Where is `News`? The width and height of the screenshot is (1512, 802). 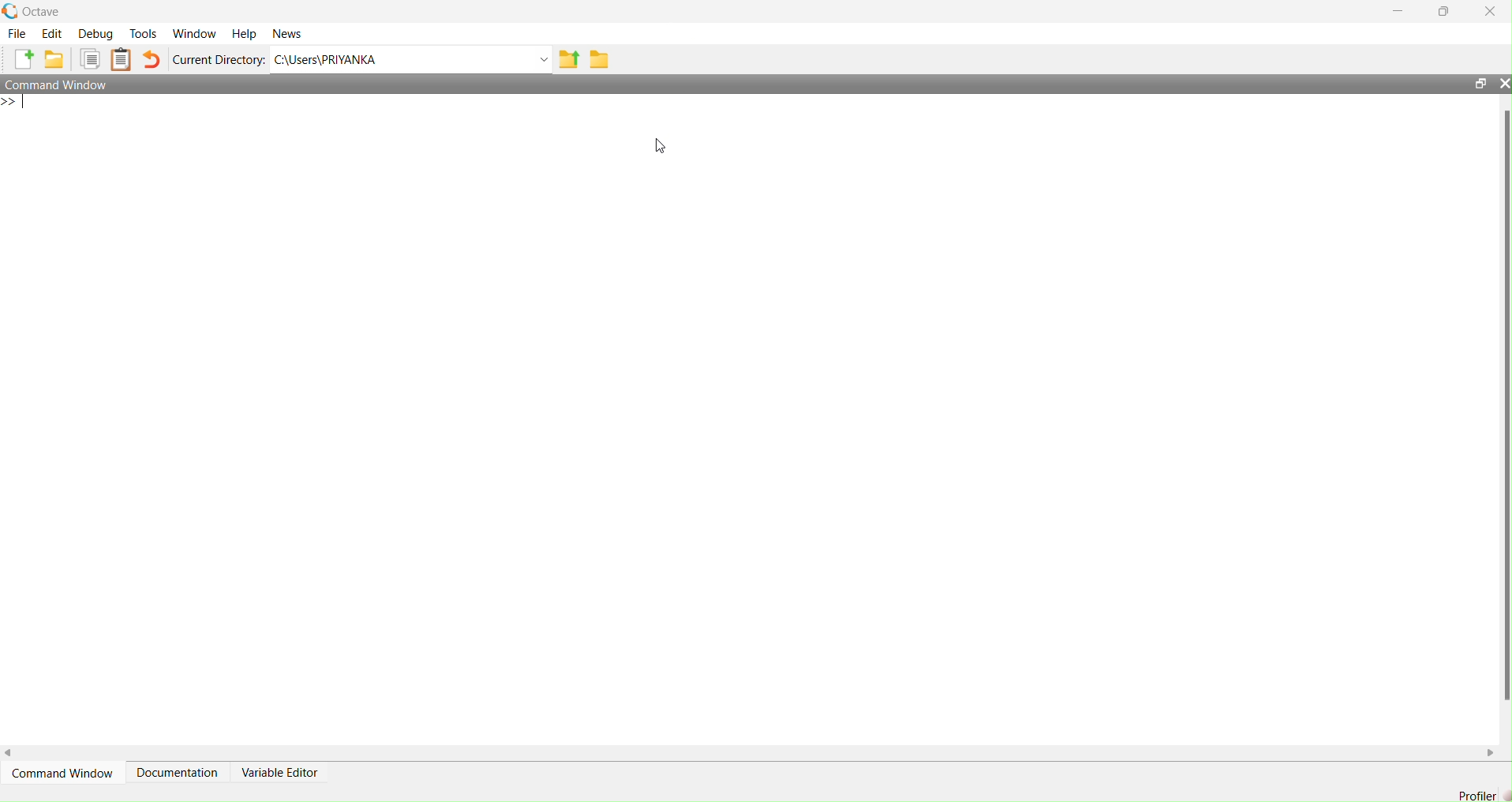 News is located at coordinates (287, 34).